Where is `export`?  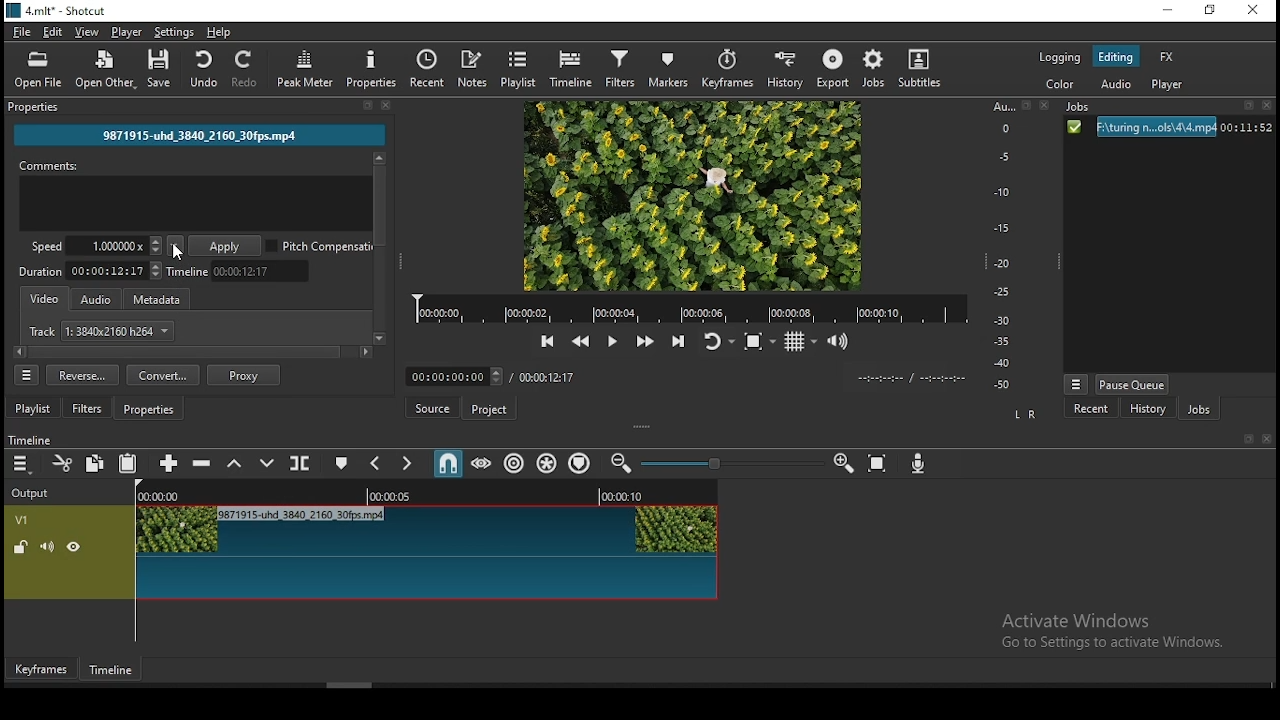
export is located at coordinates (831, 68).